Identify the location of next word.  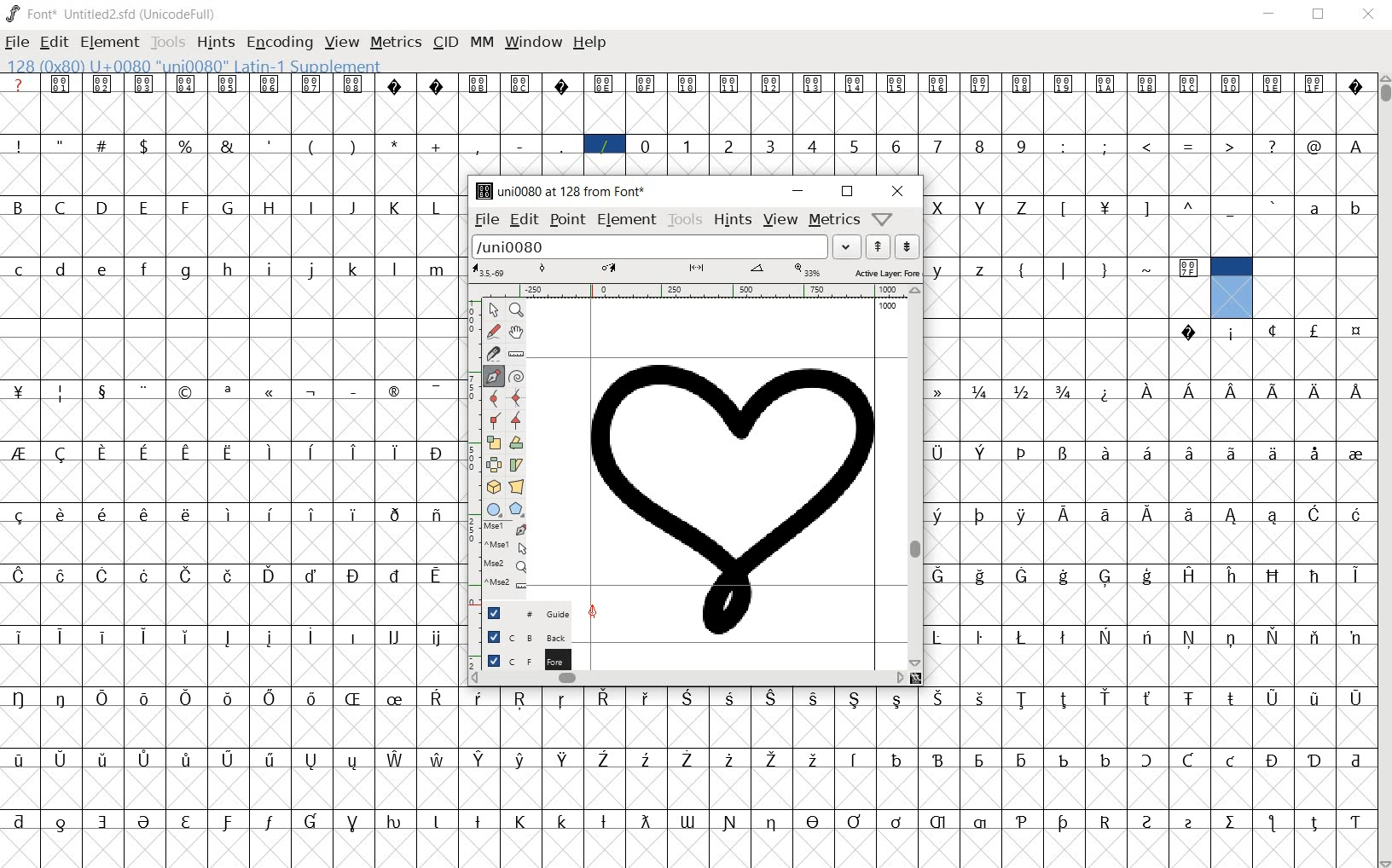
(907, 247).